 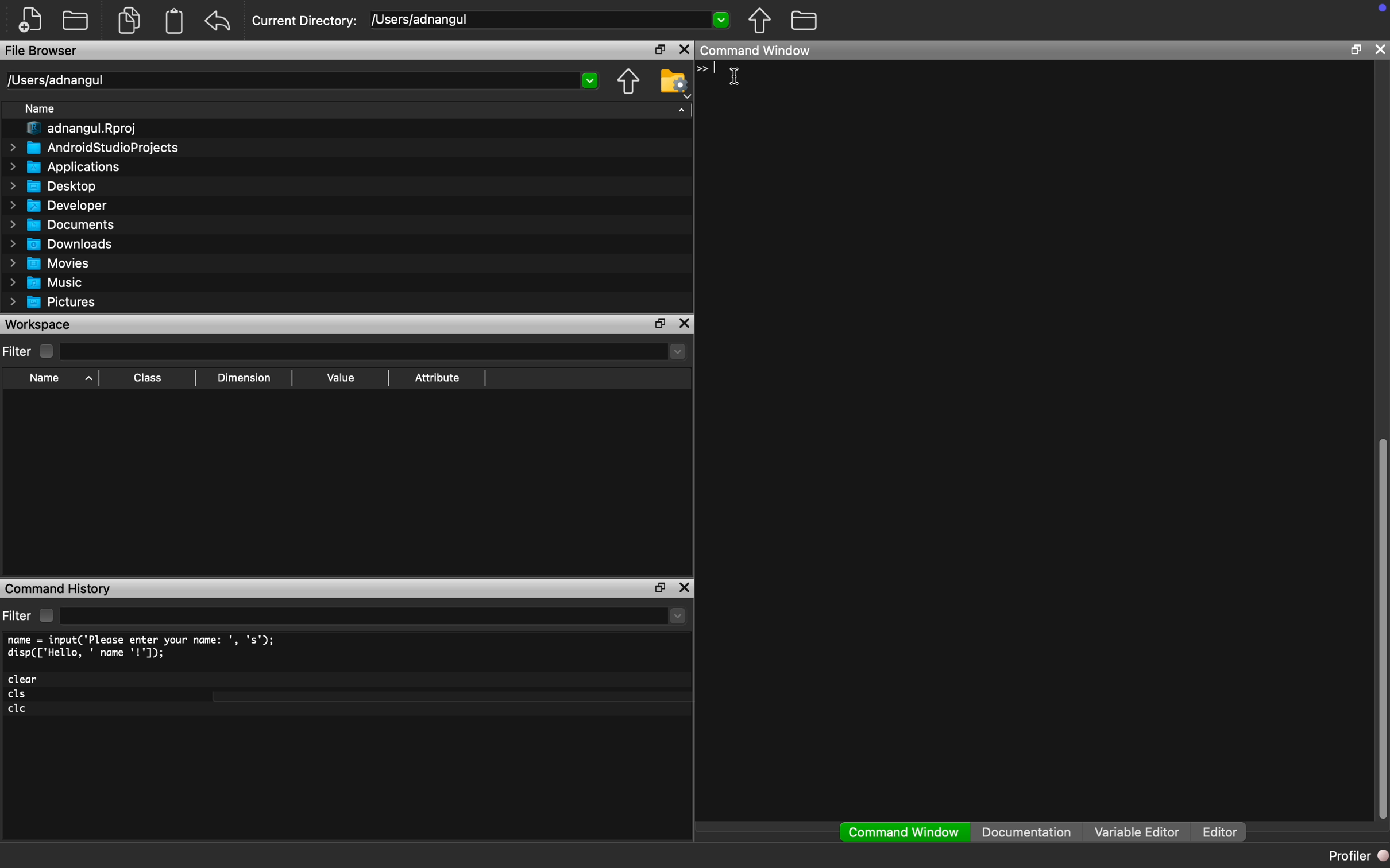 What do you see at coordinates (1356, 49) in the screenshot?
I see `maximize` at bounding box center [1356, 49].